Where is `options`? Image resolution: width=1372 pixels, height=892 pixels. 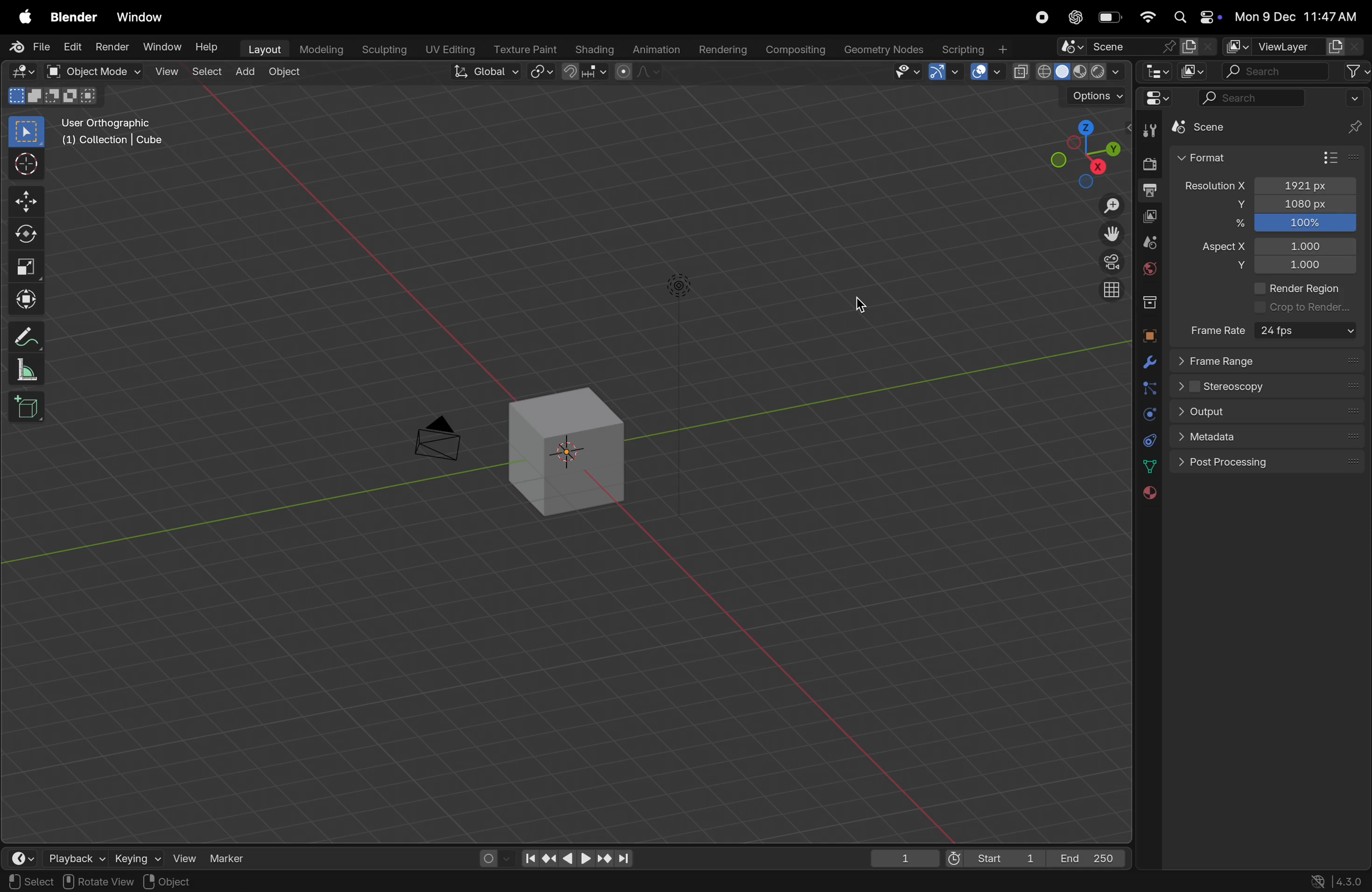
options is located at coordinates (1090, 95).